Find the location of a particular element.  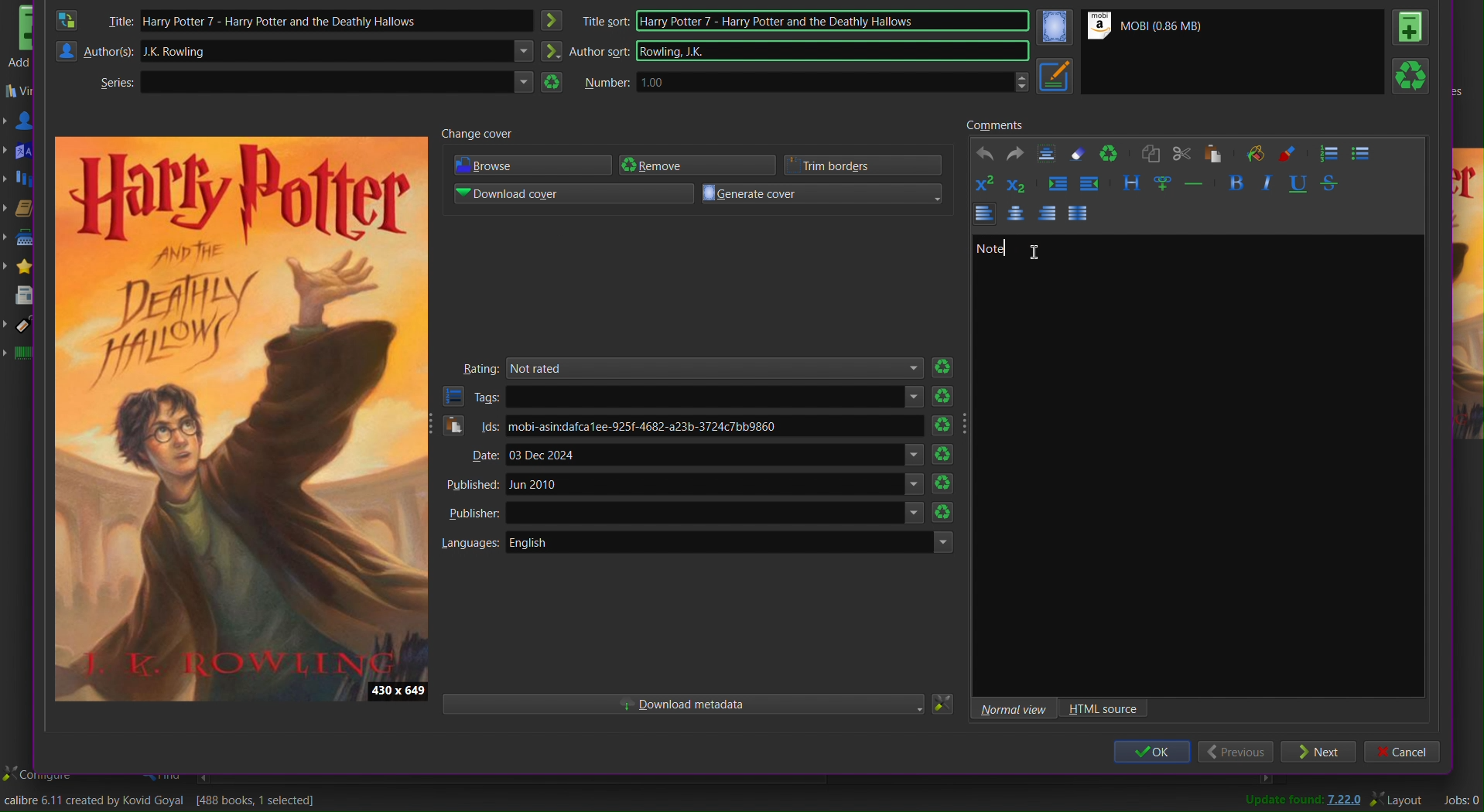

Bold is located at coordinates (1238, 183).